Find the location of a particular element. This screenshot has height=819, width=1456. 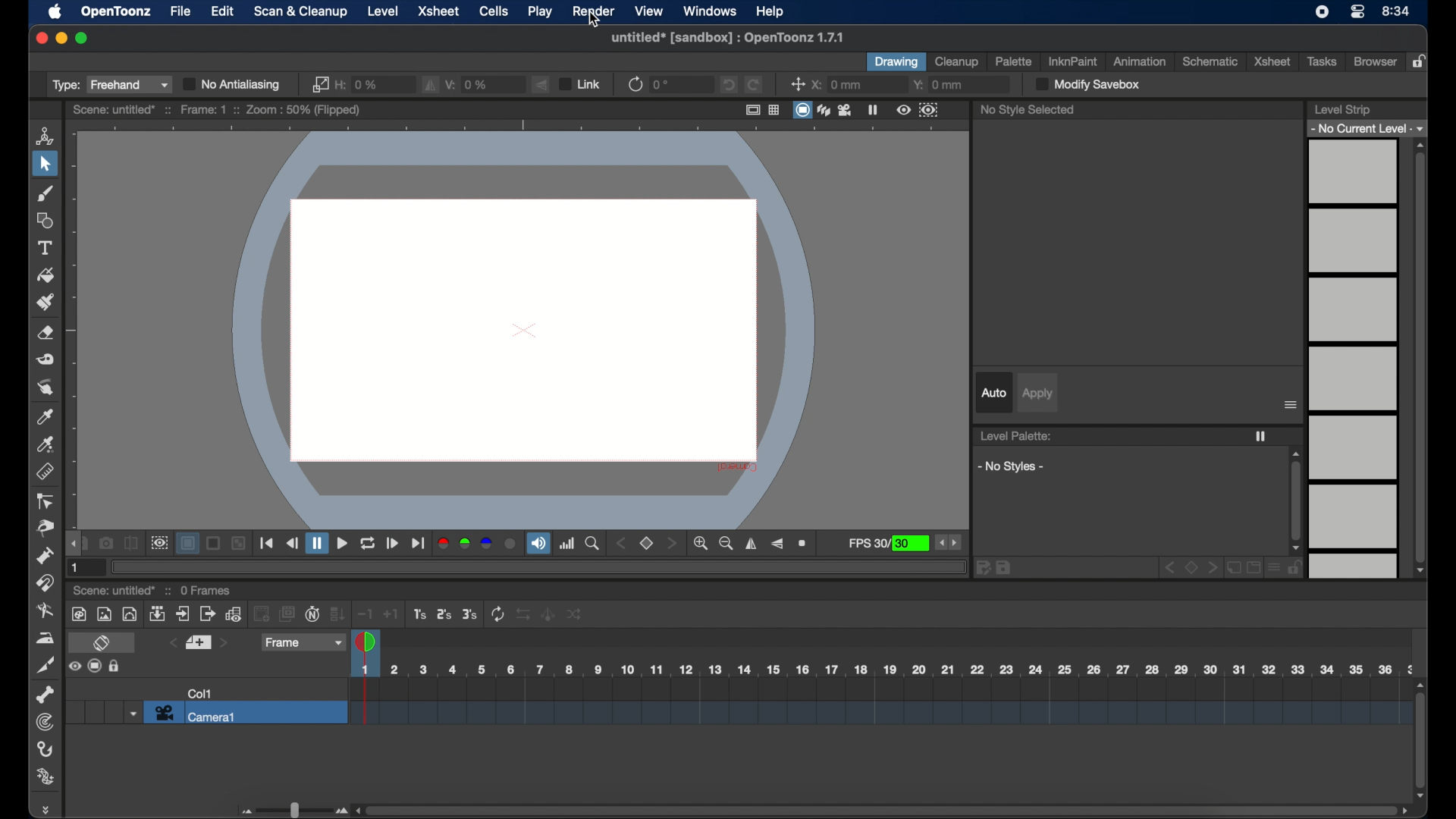

scene is located at coordinates (217, 110).